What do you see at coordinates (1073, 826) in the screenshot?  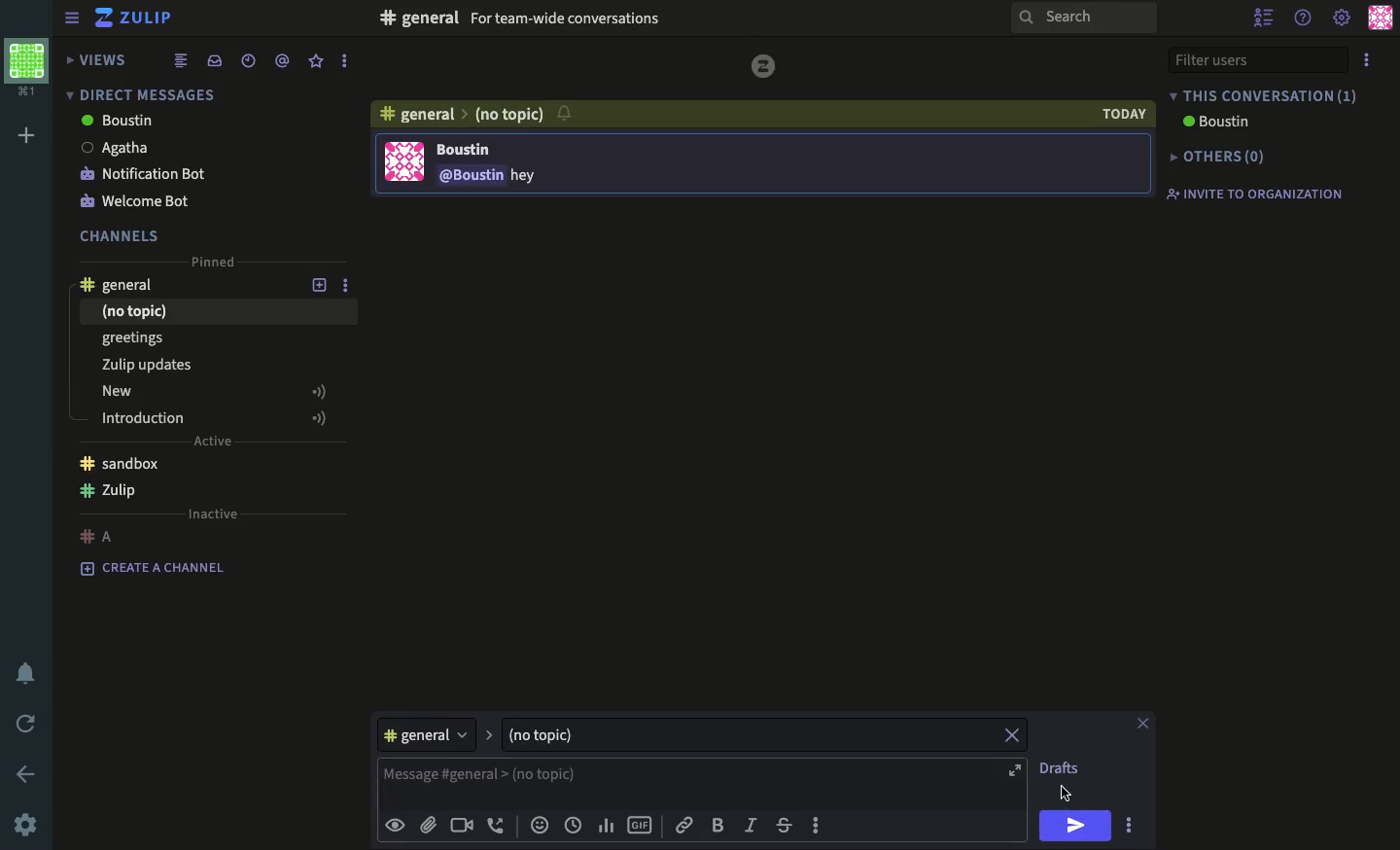 I see `send` at bounding box center [1073, 826].